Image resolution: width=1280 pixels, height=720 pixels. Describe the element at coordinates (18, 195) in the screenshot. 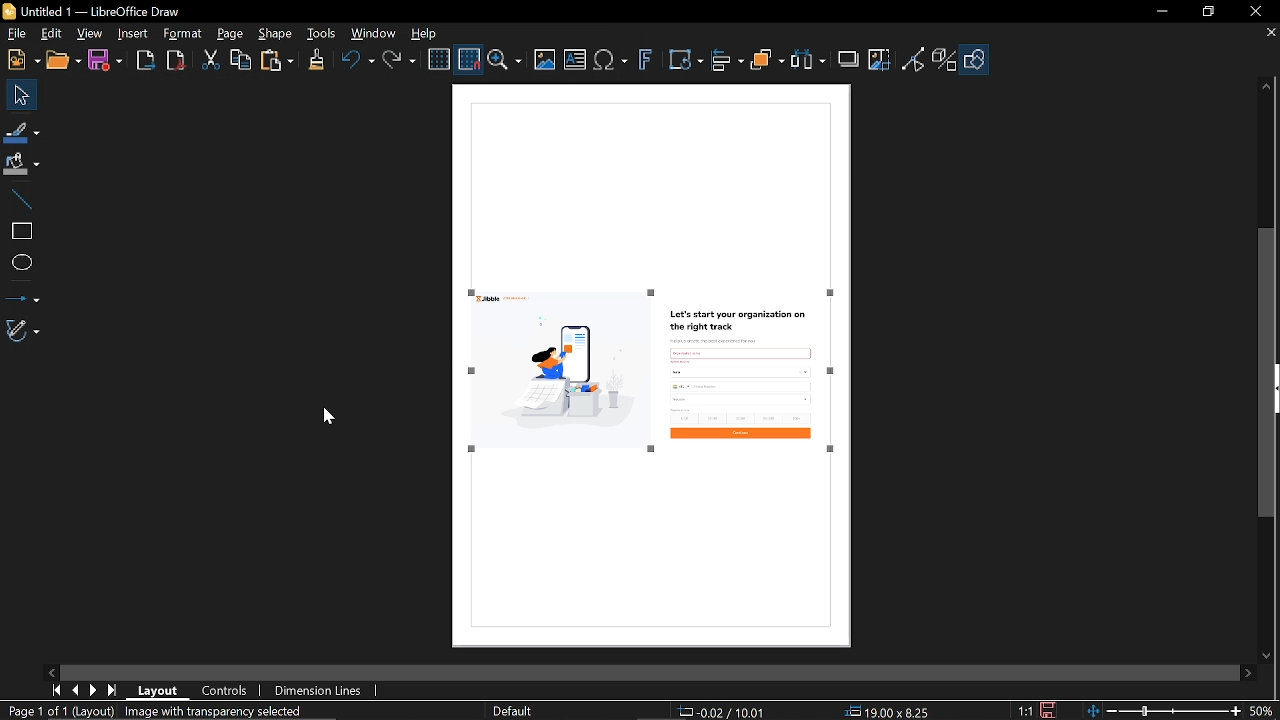

I see `Line` at that location.